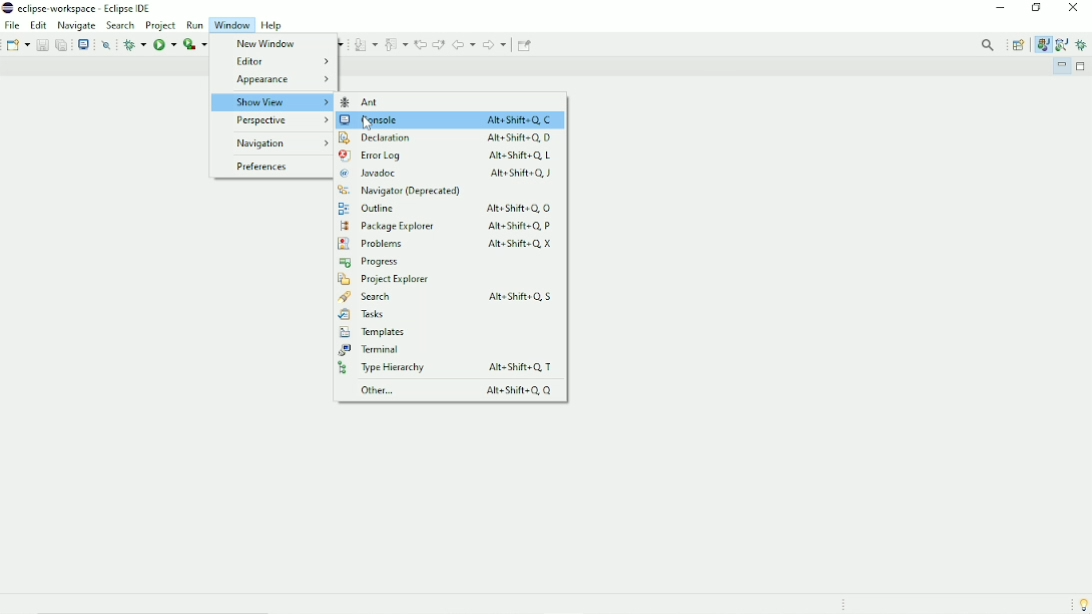  I want to click on New, so click(18, 44).